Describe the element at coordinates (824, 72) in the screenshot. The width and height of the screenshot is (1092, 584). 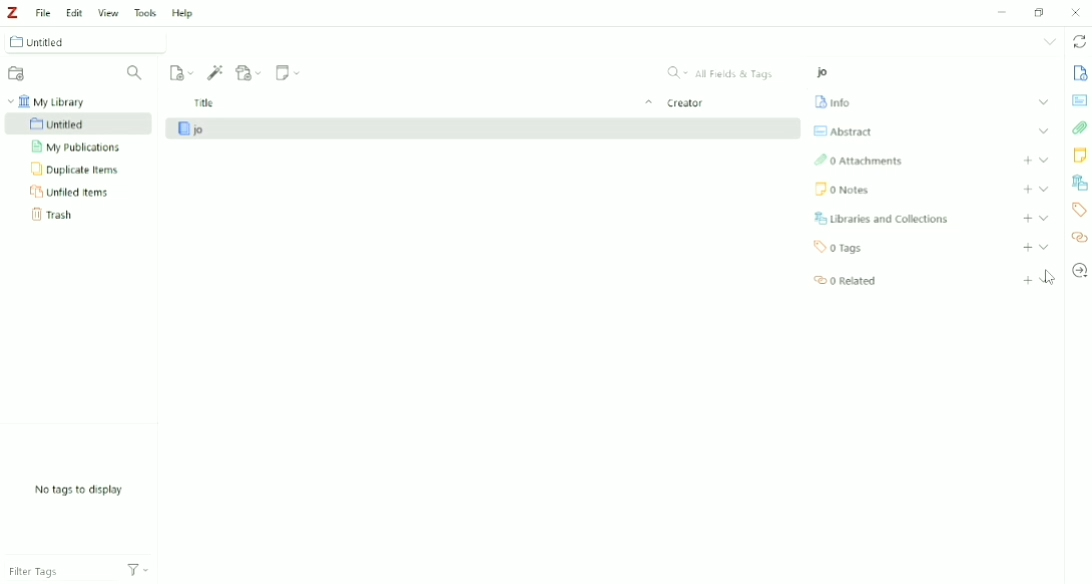
I see `jo` at that location.